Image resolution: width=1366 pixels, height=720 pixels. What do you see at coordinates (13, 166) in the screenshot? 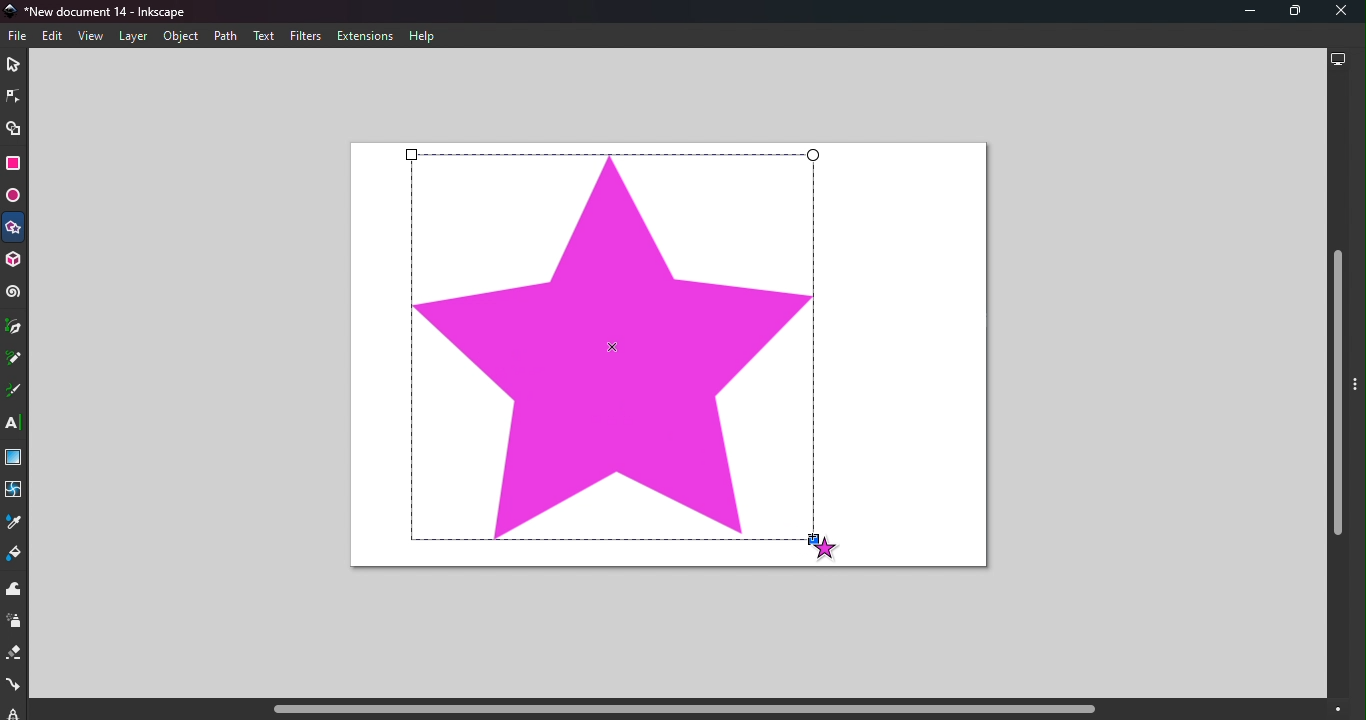
I see `Rectangle tool` at bounding box center [13, 166].